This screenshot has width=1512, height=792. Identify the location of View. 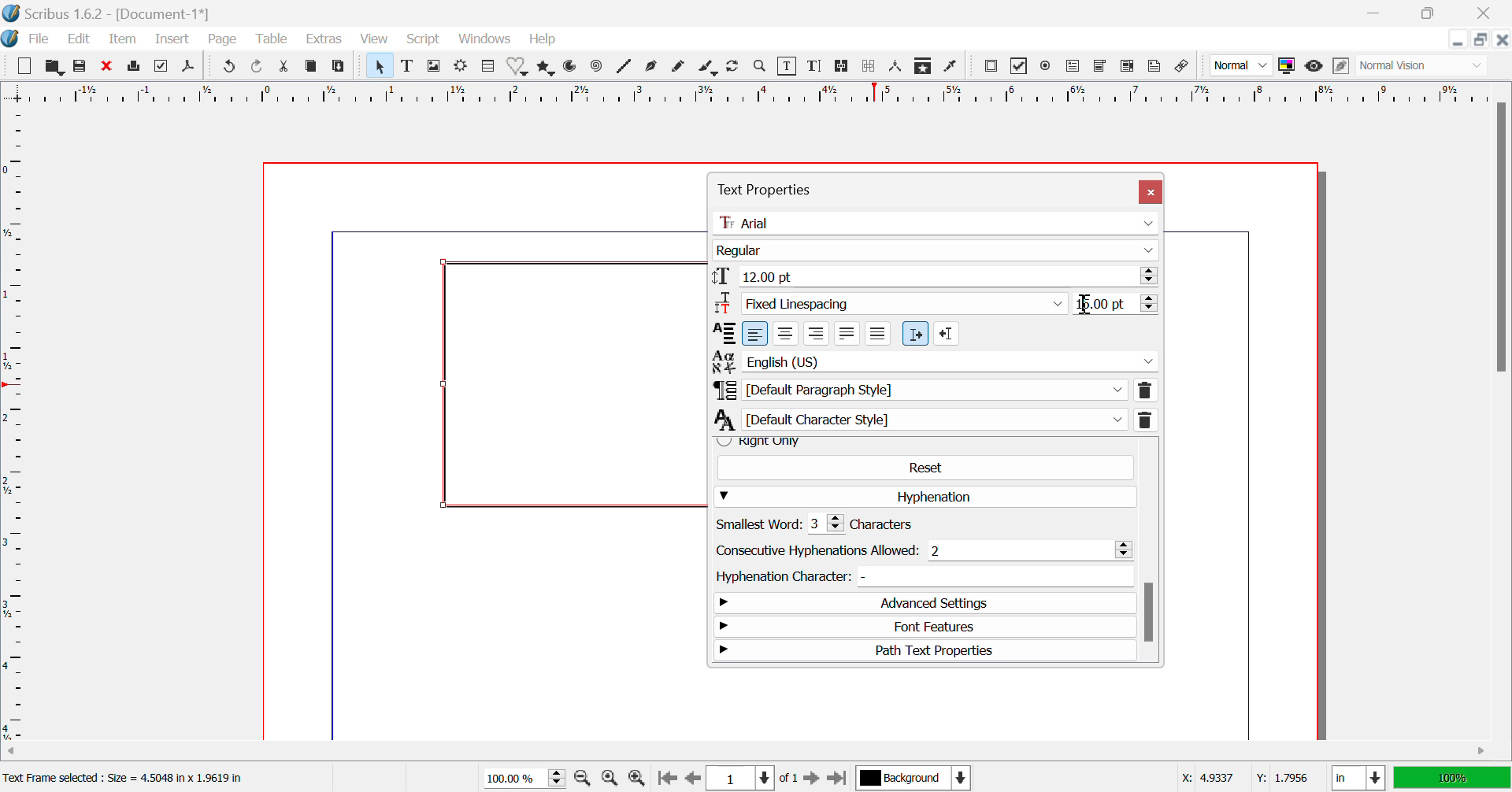
(375, 40).